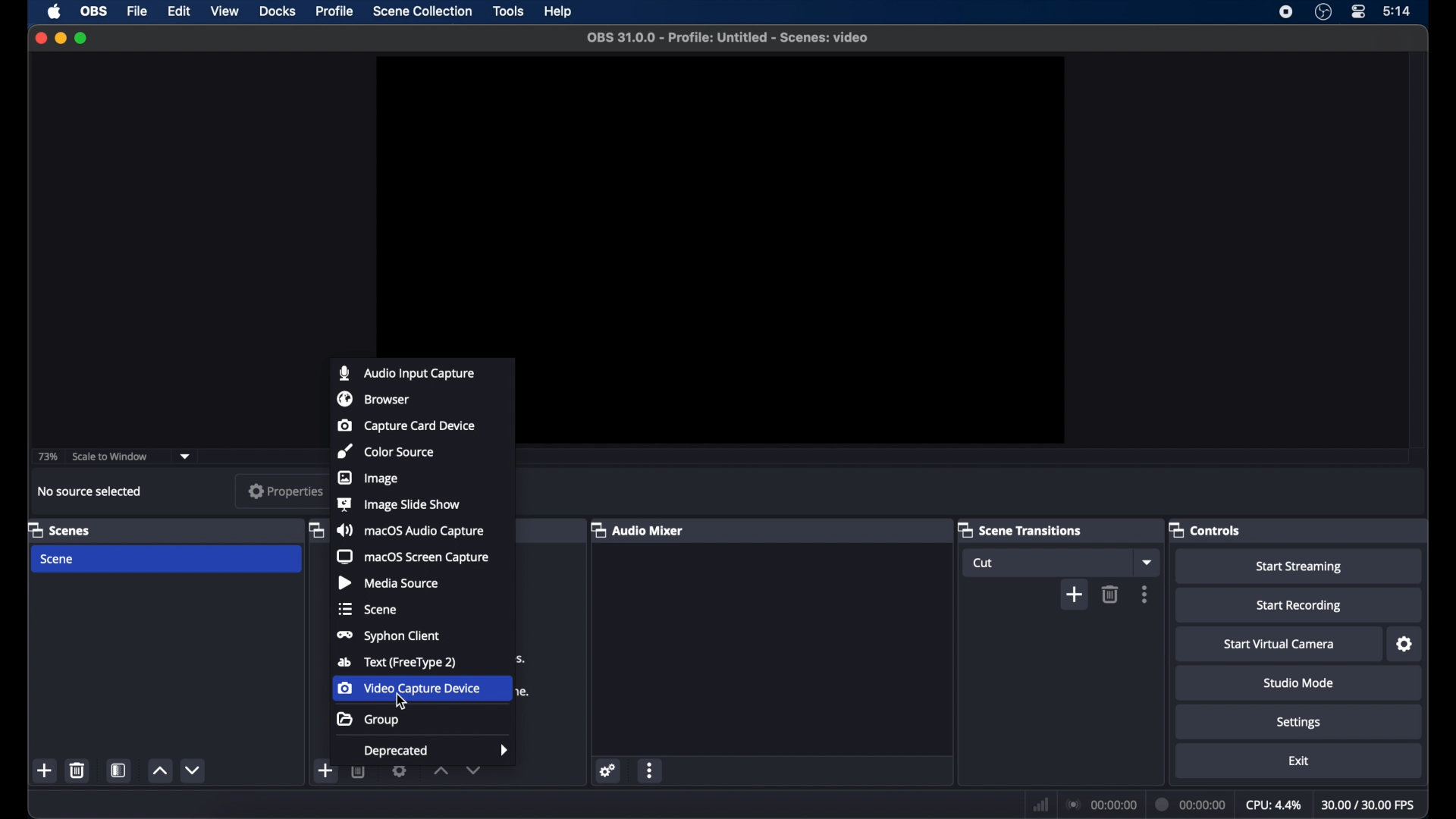  What do you see at coordinates (399, 504) in the screenshot?
I see `image slideshow` at bounding box center [399, 504].